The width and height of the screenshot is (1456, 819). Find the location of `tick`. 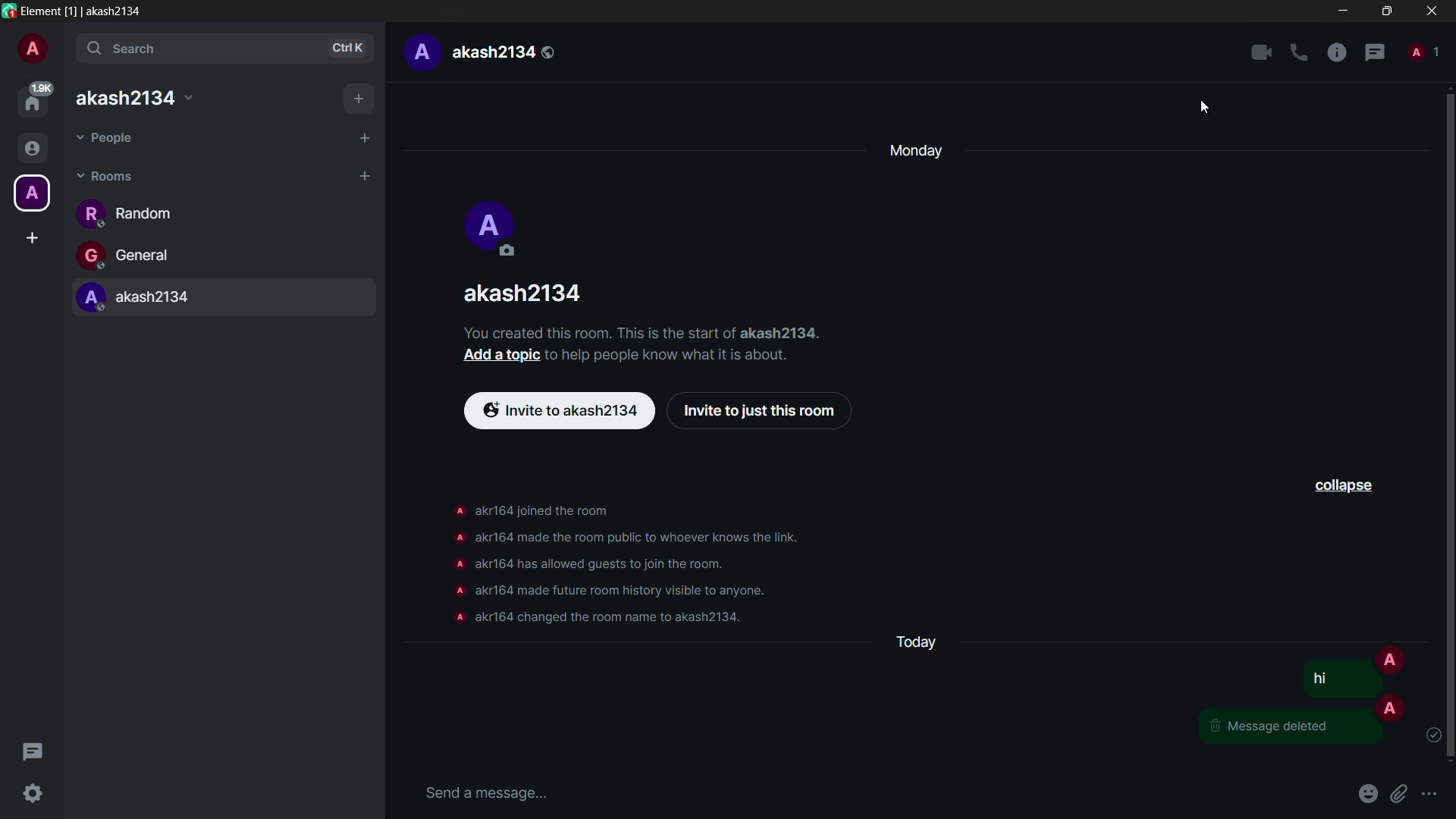

tick is located at coordinates (1432, 736).